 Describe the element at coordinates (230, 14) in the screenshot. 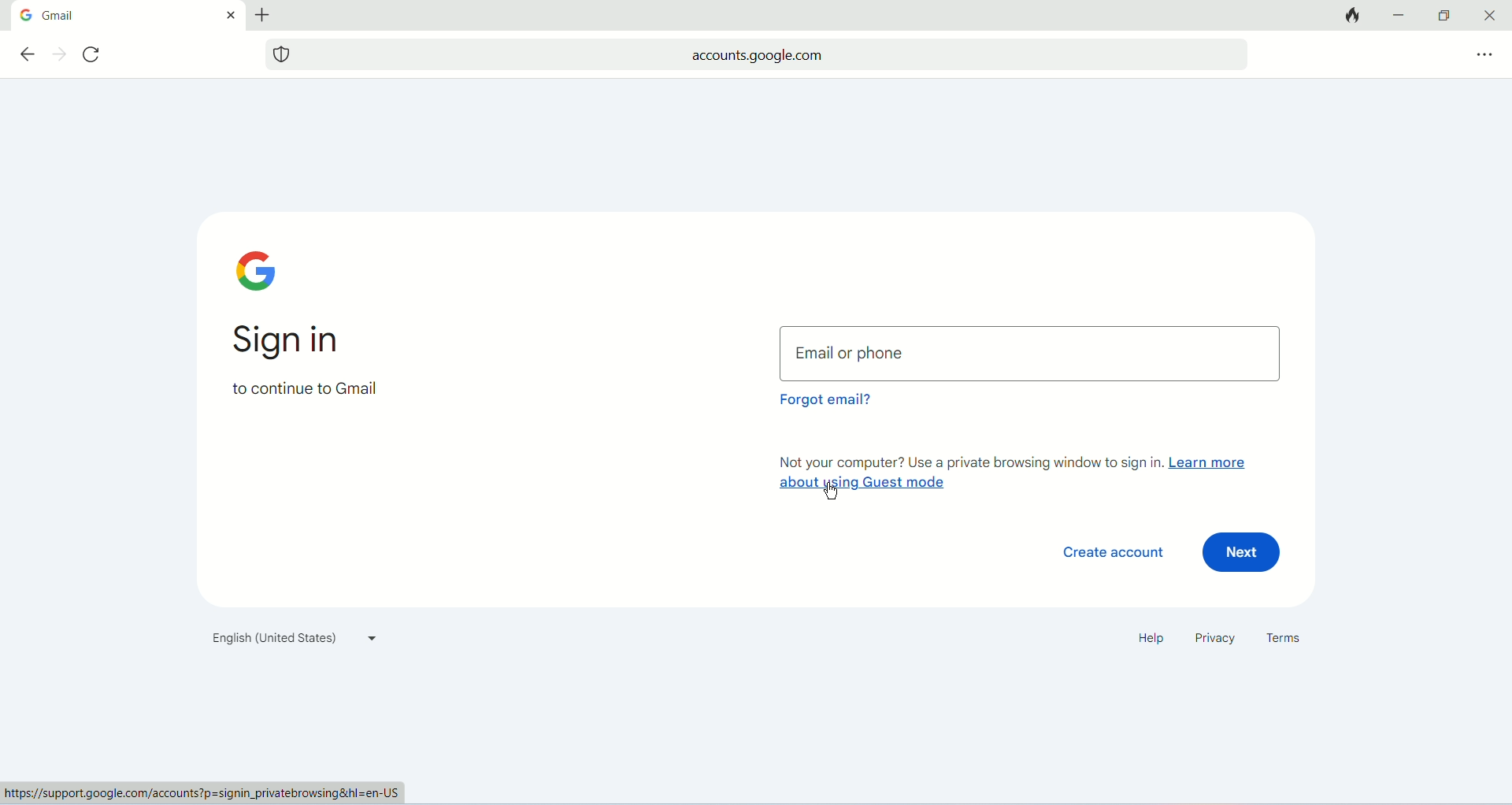

I see `close` at that location.